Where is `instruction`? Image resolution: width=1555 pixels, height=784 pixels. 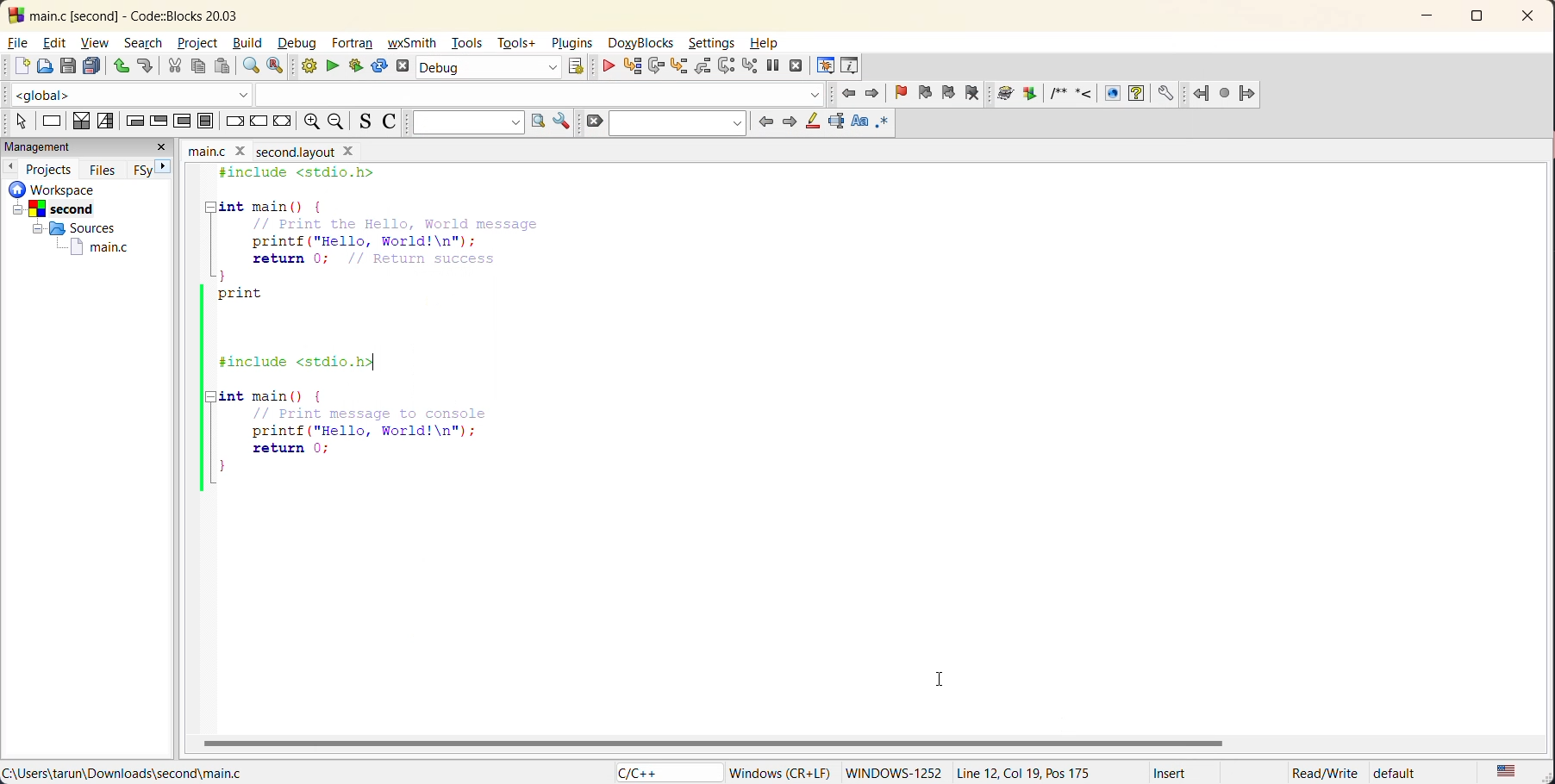
instruction is located at coordinates (51, 120).